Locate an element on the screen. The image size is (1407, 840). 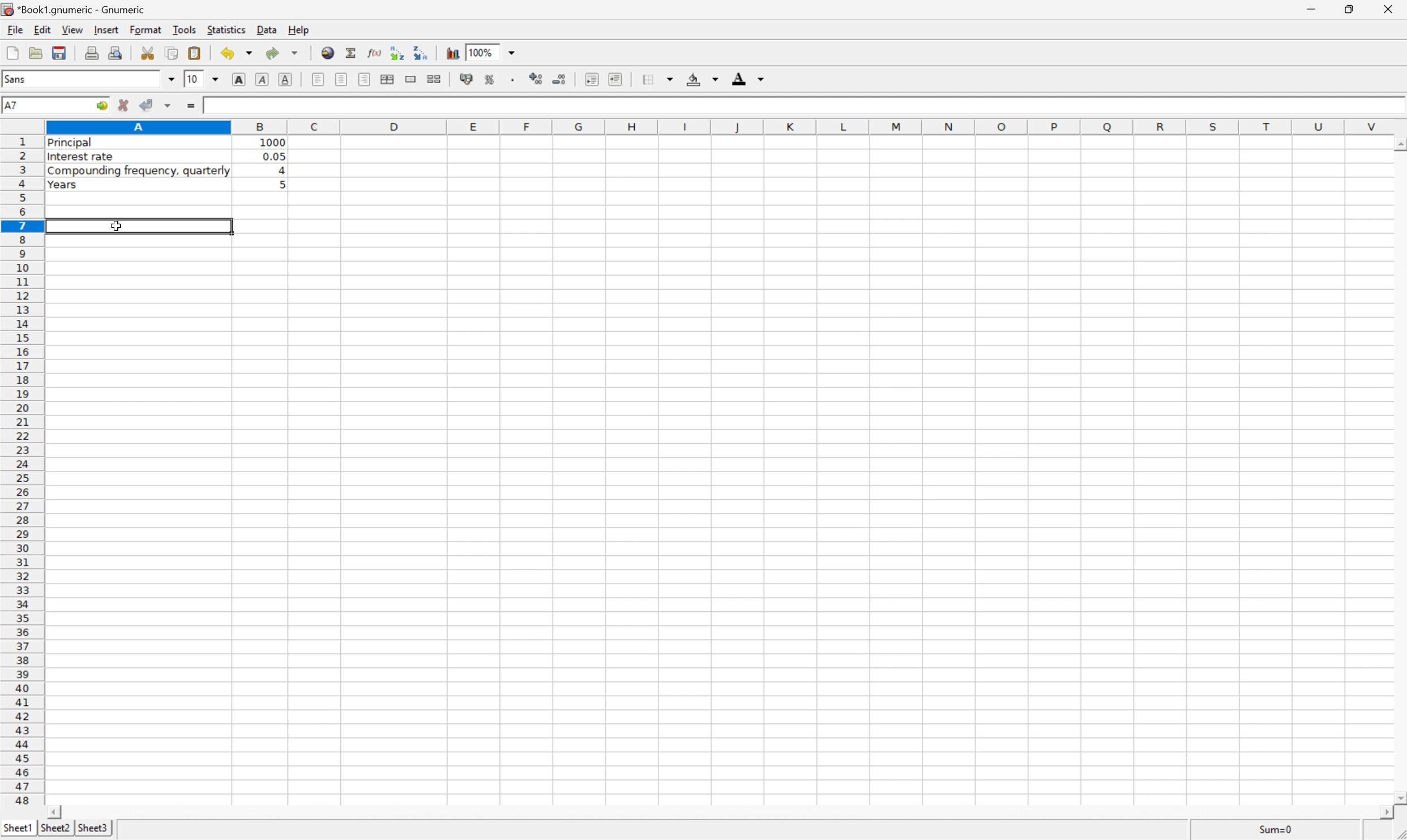
go to is located at coordinates (103, 104).